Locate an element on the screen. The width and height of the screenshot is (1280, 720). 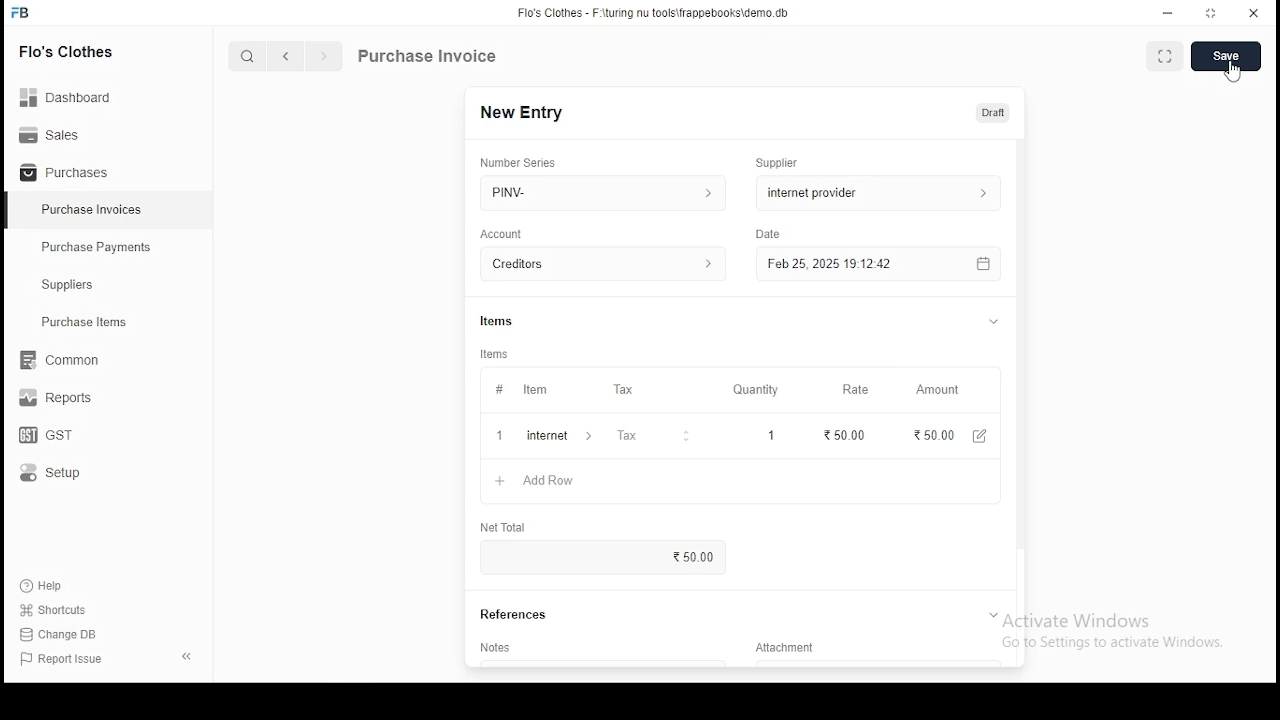
Items is located at coordinates (497, 319).